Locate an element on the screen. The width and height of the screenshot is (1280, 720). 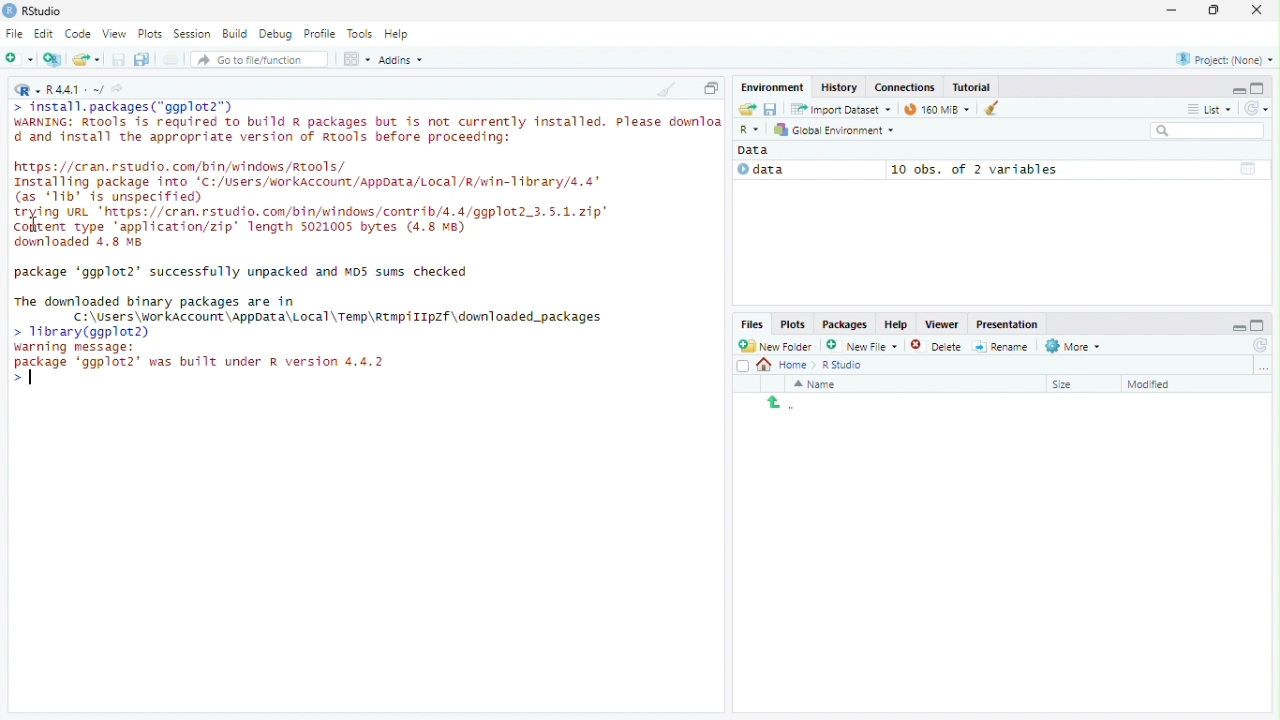
Viewer is located at coordinates (941, 324).